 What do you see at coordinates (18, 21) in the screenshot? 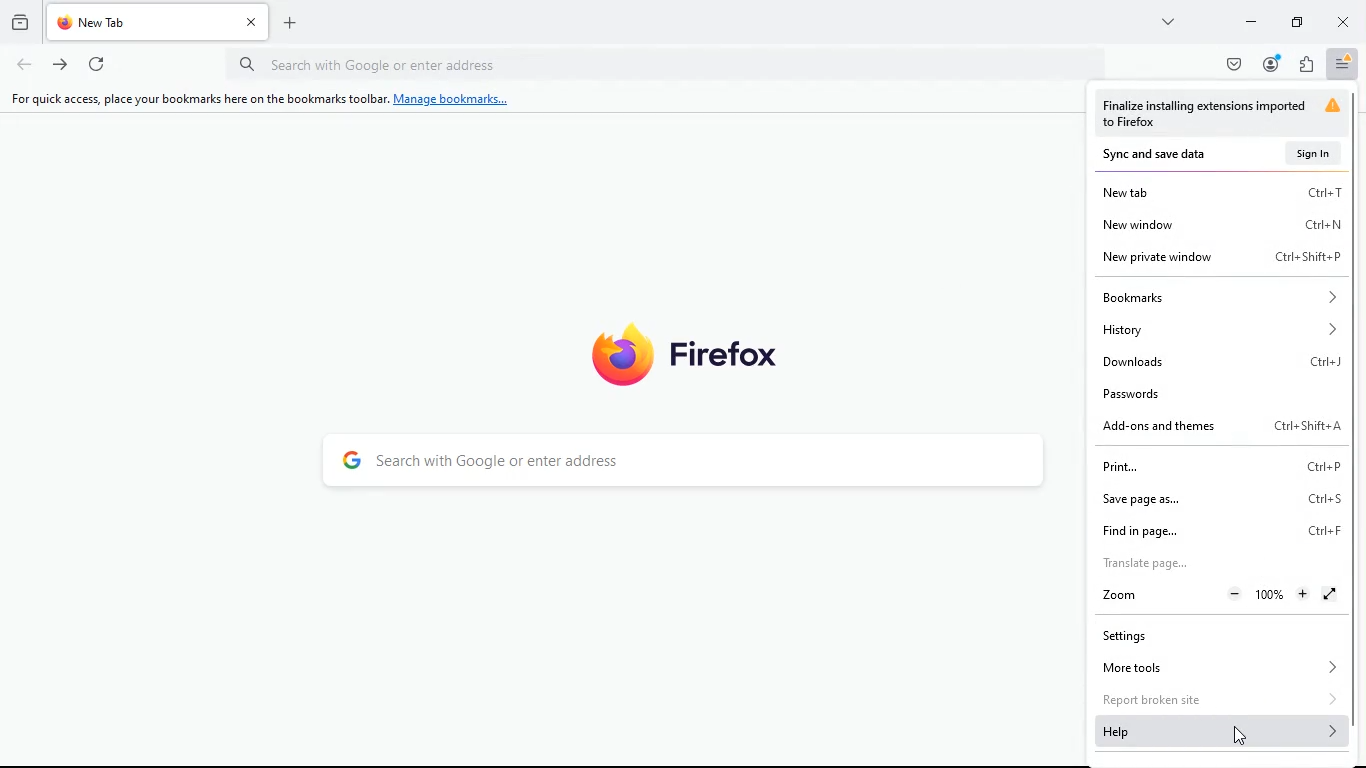
I see `history` at bounding box center [18, 21].